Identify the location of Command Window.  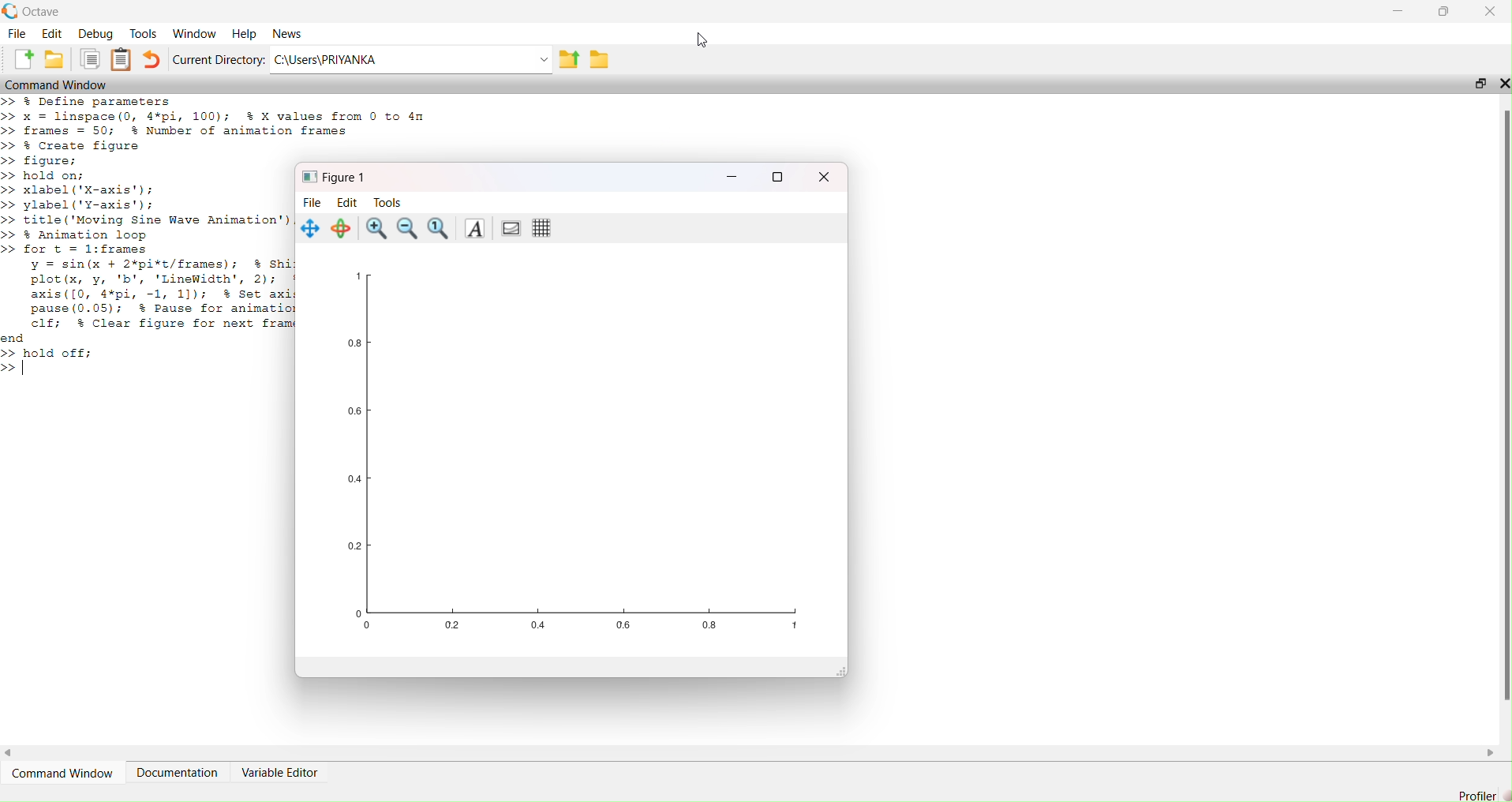
(62, 83).